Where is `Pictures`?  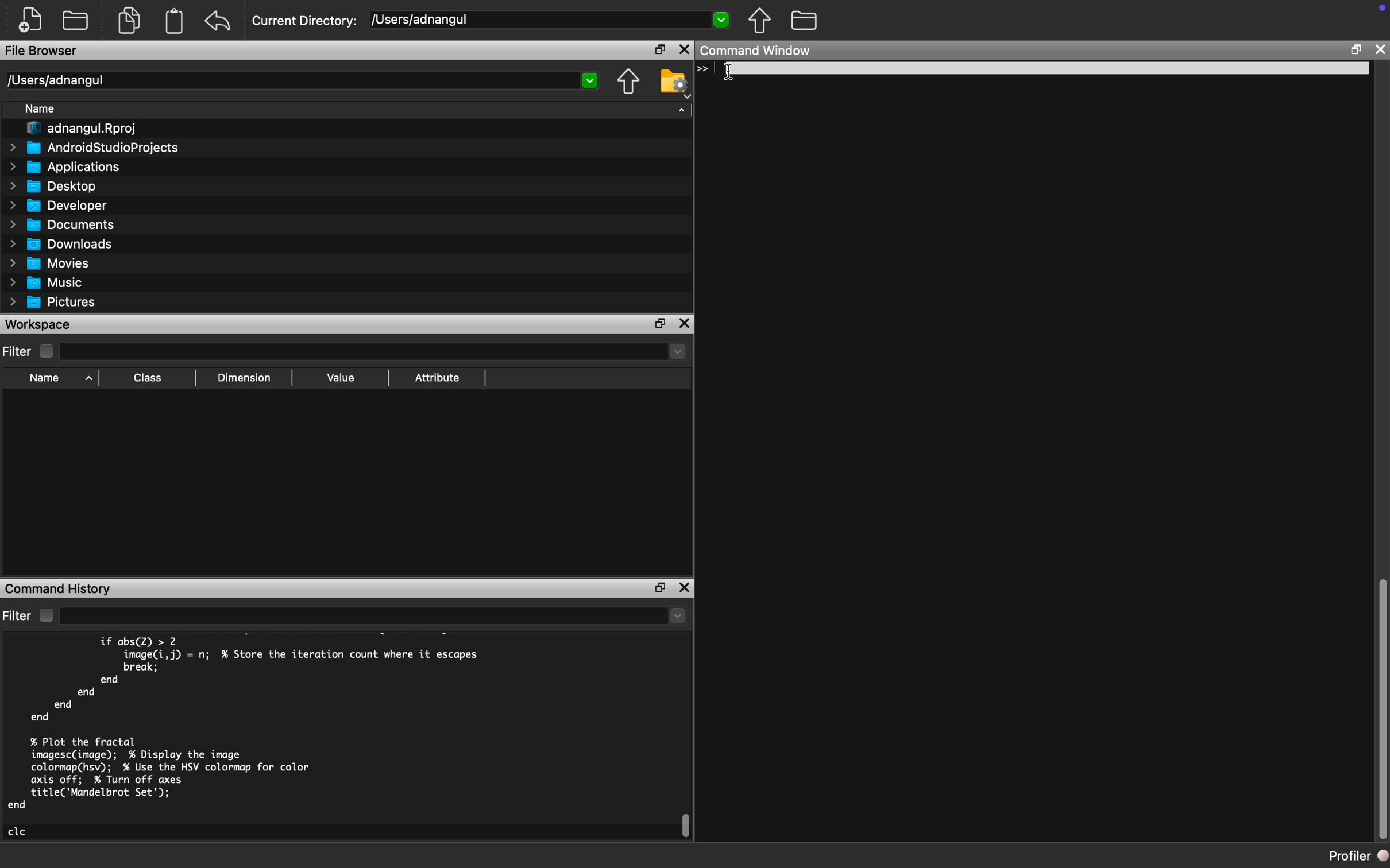
Pictures is located at coordinates (55, 303).